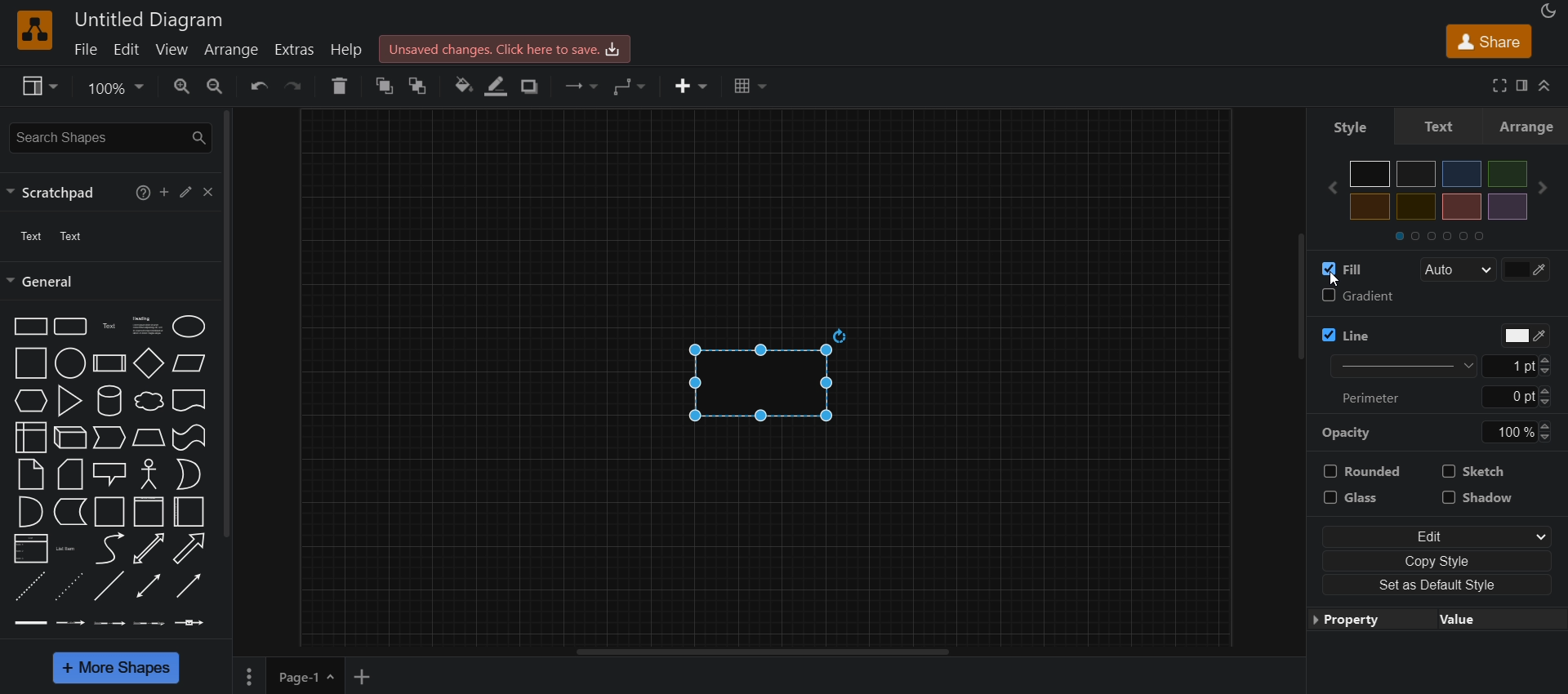  Describe the element at coordinates (231, 51) in the screenshot. I see `arrange` at that location.